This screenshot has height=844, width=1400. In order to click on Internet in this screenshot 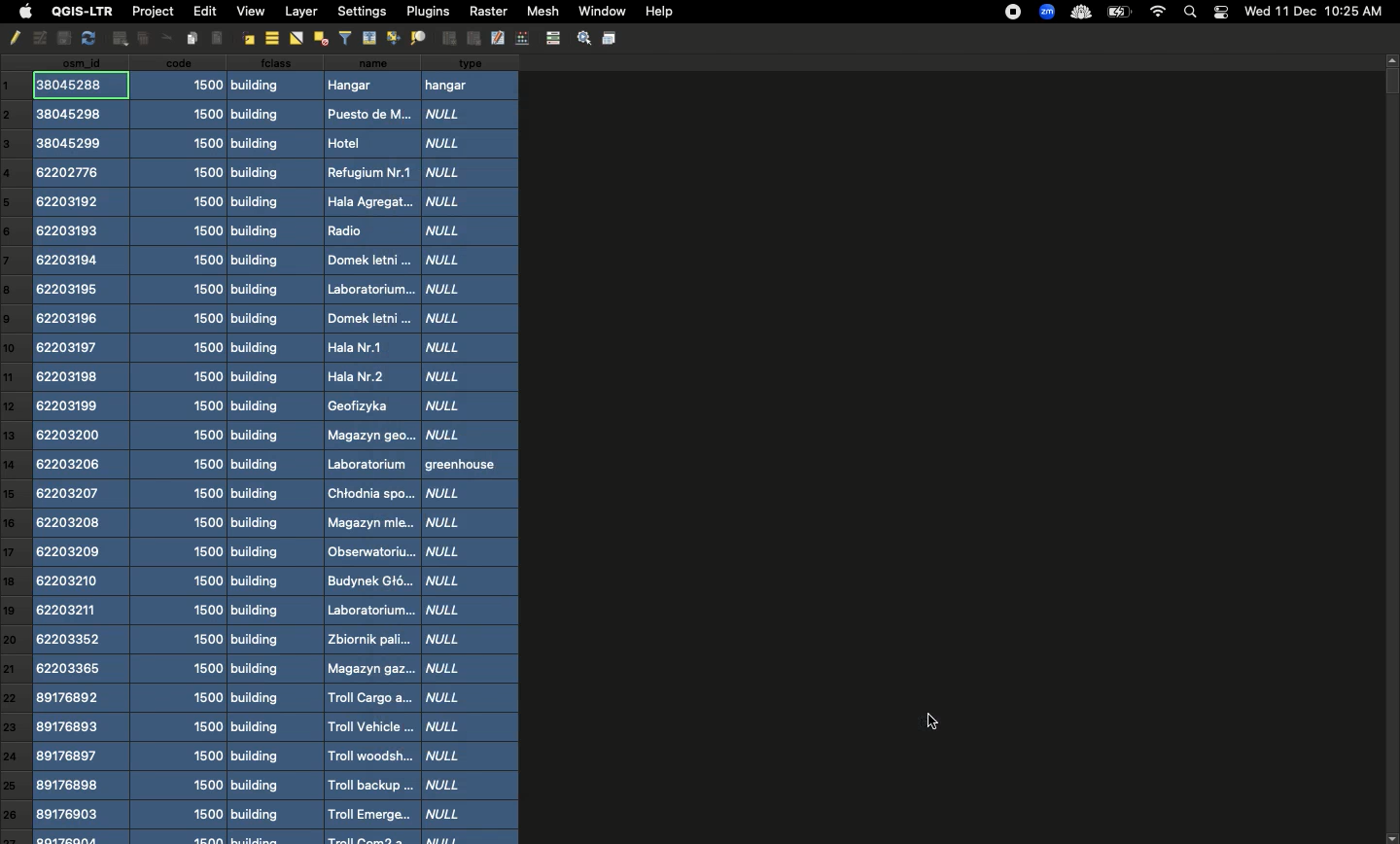, I will do `click(1157, 12)`.